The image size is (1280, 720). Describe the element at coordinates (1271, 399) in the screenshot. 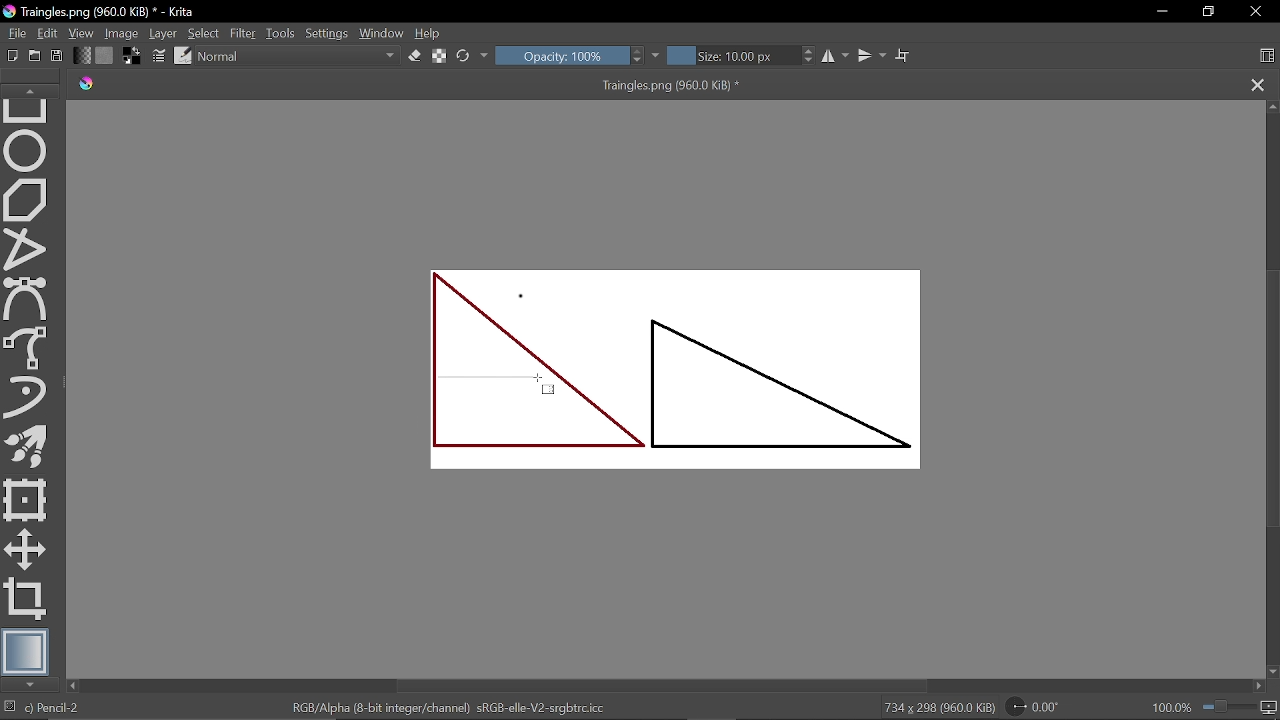

I see `Vertical scrollbar` at that location.